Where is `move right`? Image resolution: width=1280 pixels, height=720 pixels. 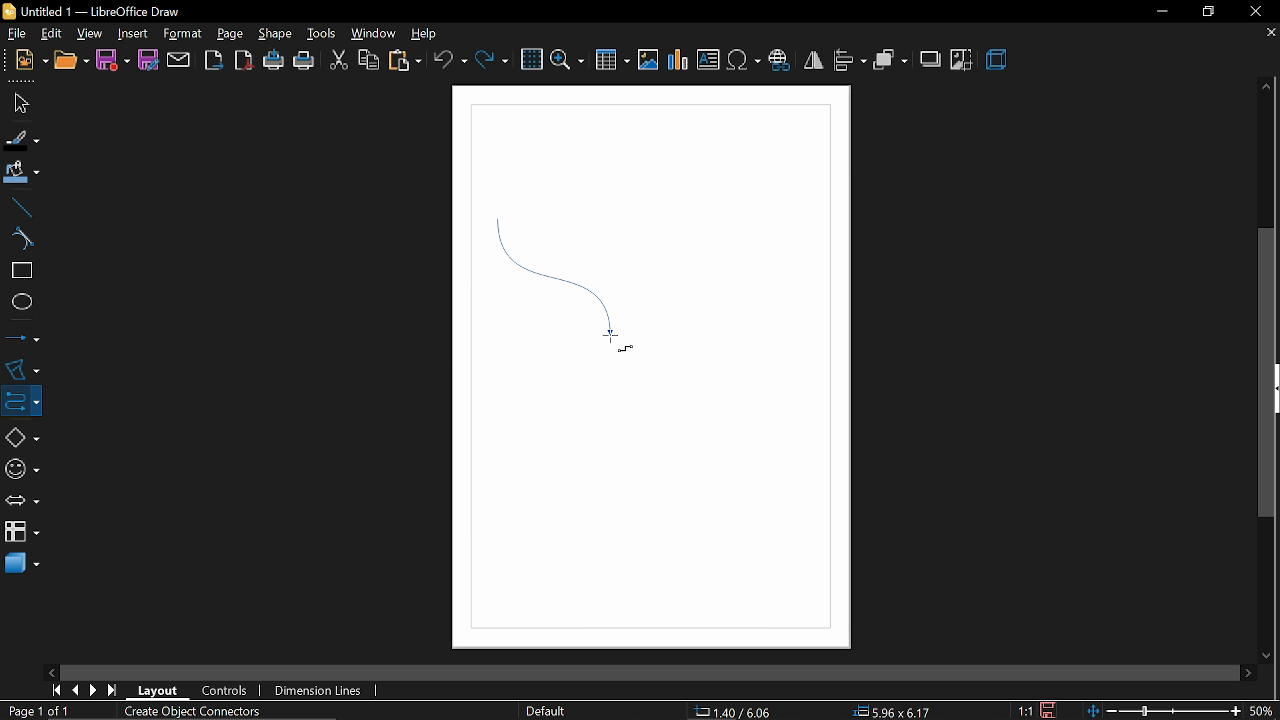 move right is located at coordinates (1248, 671).